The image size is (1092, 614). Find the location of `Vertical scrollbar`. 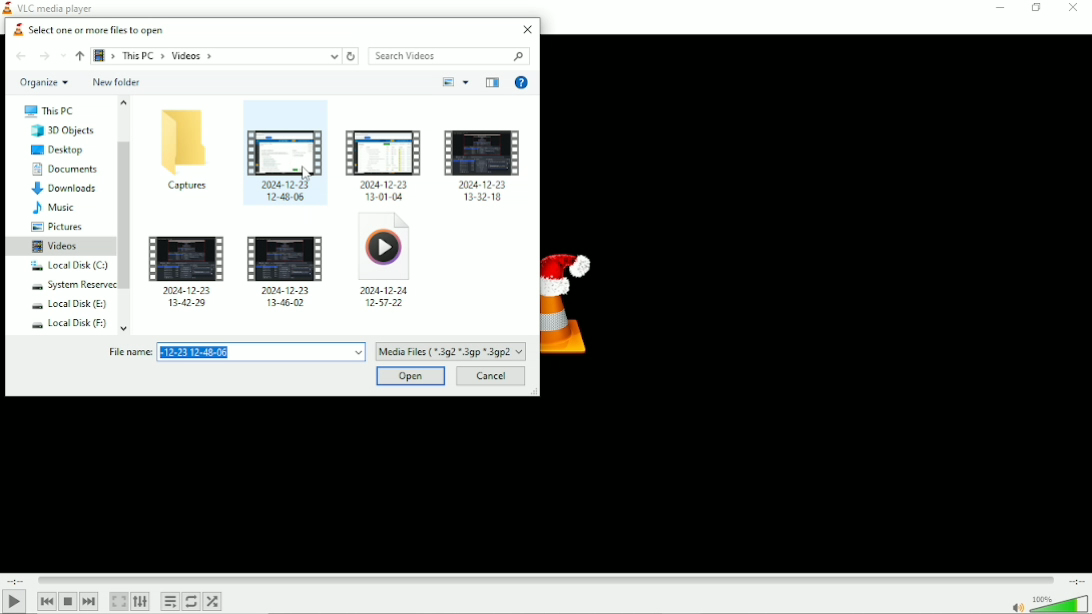

Vertical scrollbar is located at coordinates (126, 213).